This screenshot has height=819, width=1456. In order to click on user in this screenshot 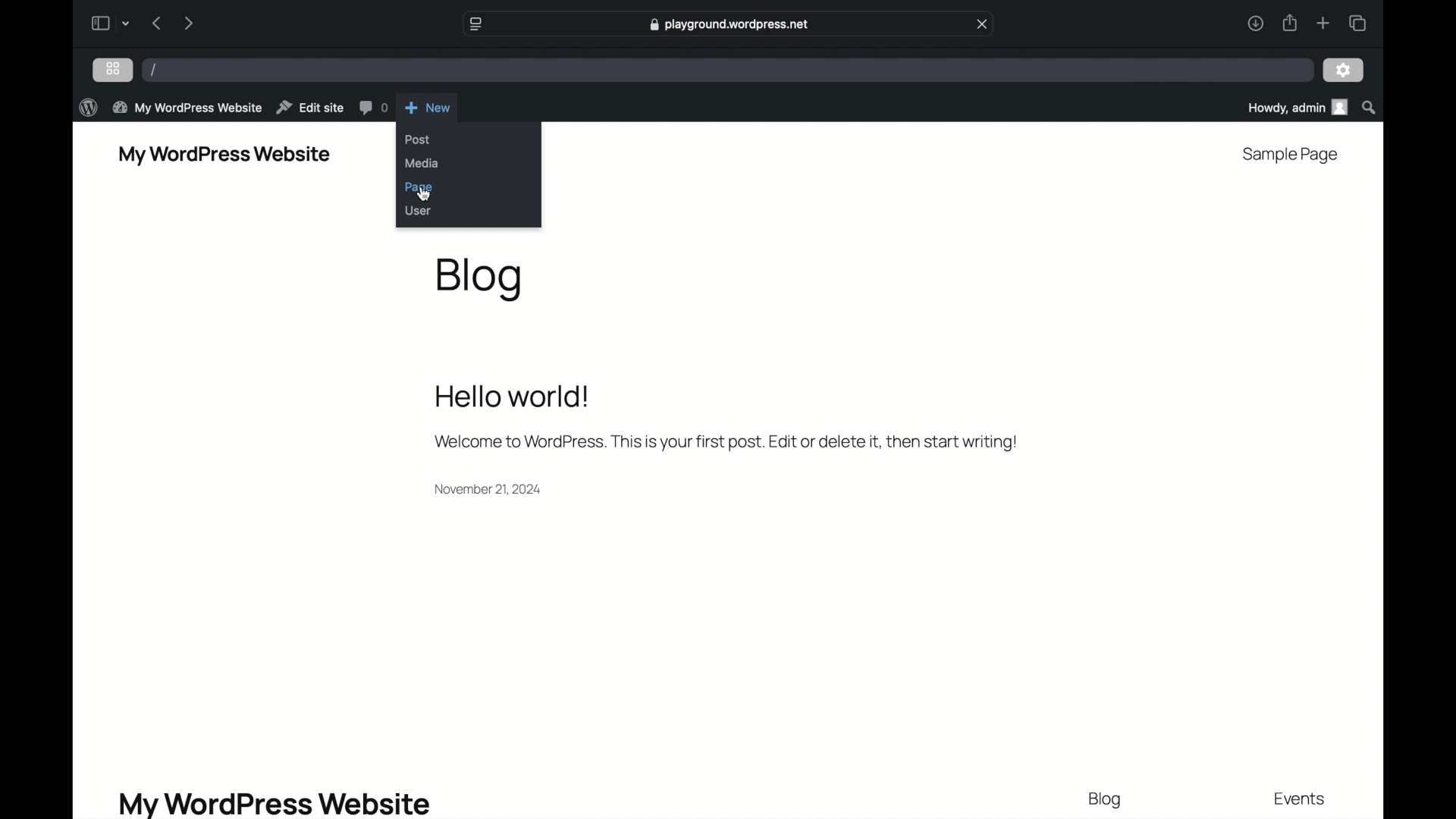, I will do `click(419, 211)`.